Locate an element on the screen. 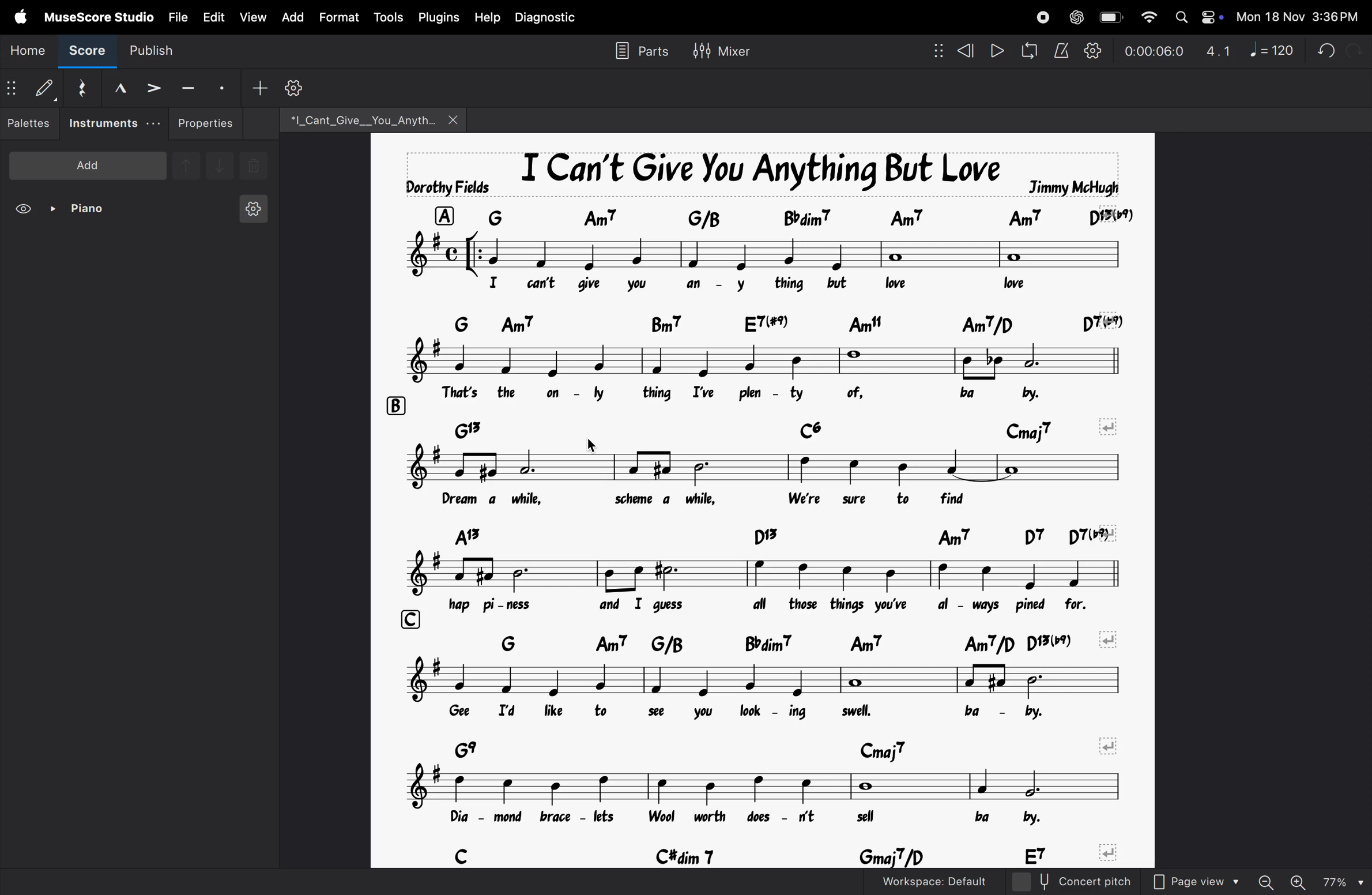  chord symbols is located at coordinates (775, 852).